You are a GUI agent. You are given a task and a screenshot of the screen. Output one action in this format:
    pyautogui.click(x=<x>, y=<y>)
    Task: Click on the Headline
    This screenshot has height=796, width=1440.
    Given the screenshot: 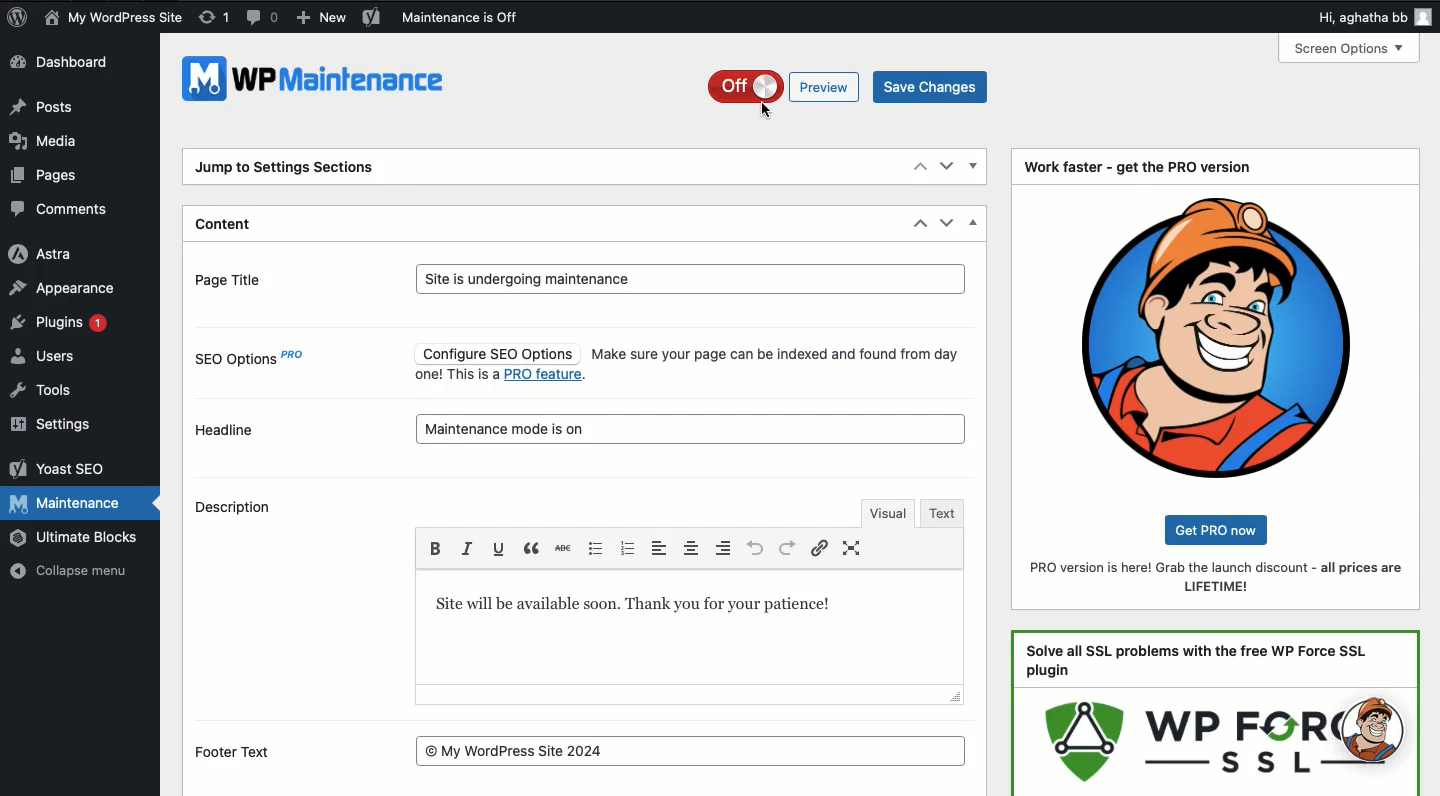 What is the action you would take?
    pyautogui.click(x=226, y=429)
    